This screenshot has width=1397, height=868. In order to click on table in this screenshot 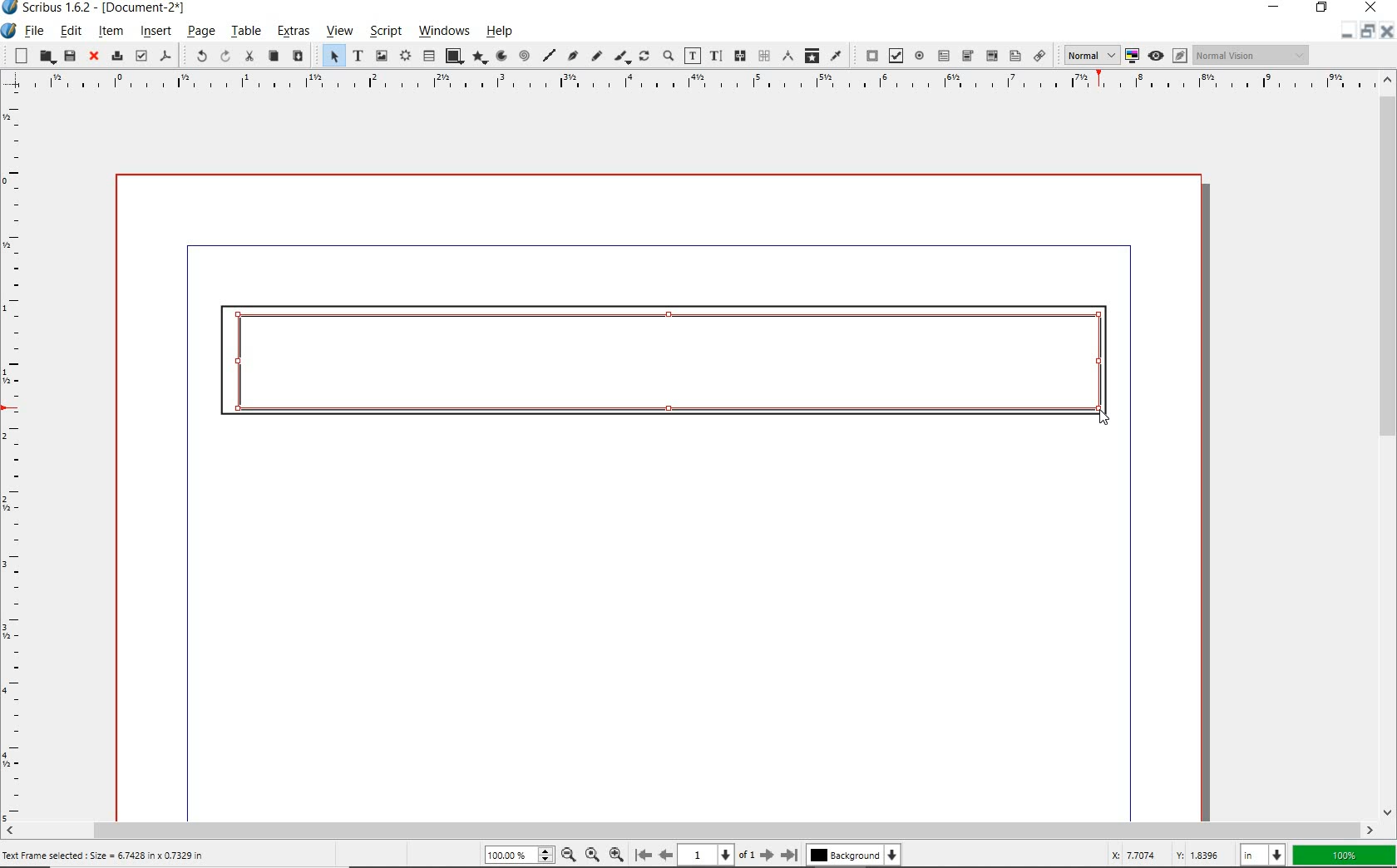, I will do `click(427, 55)`.